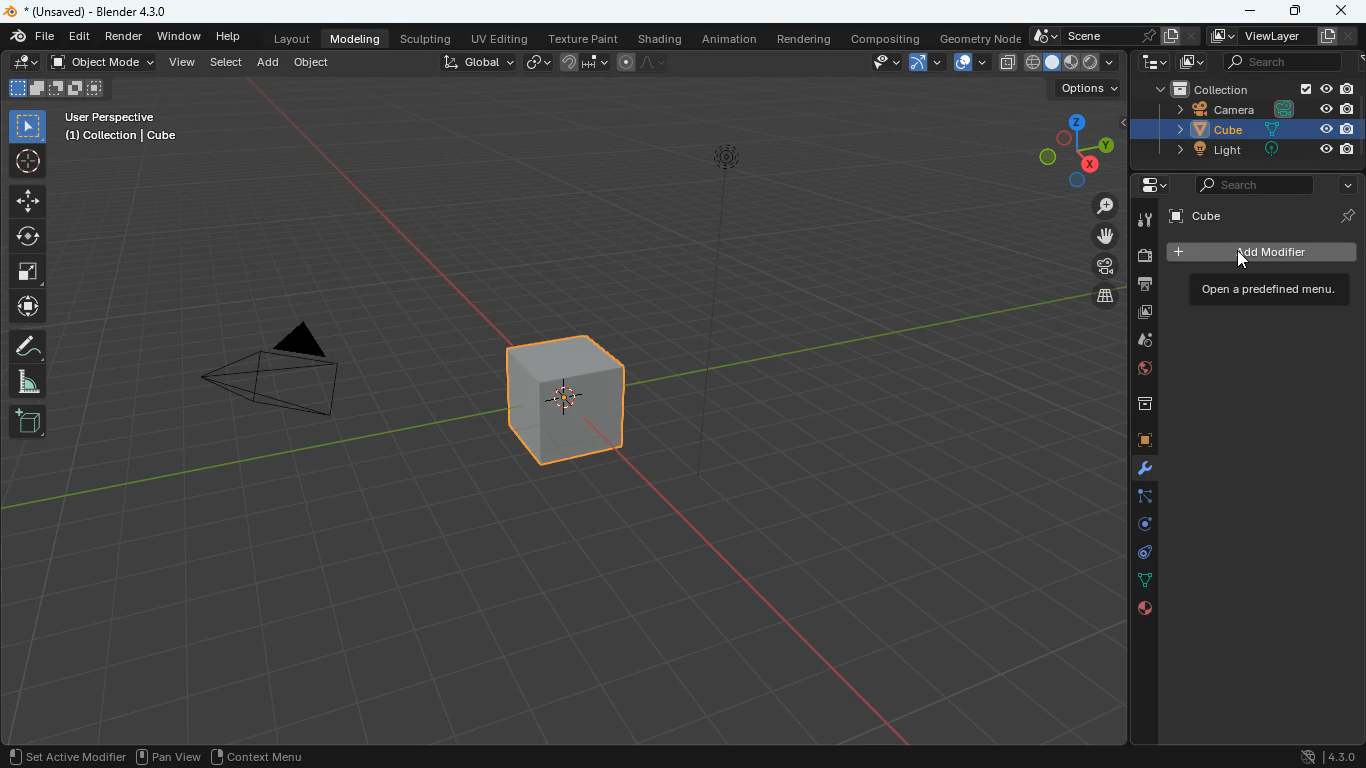 This screenshot has width=1366, height=768. Describe the element at coordinates (1137, 499) in the screenshot. I see `edge` at that location.